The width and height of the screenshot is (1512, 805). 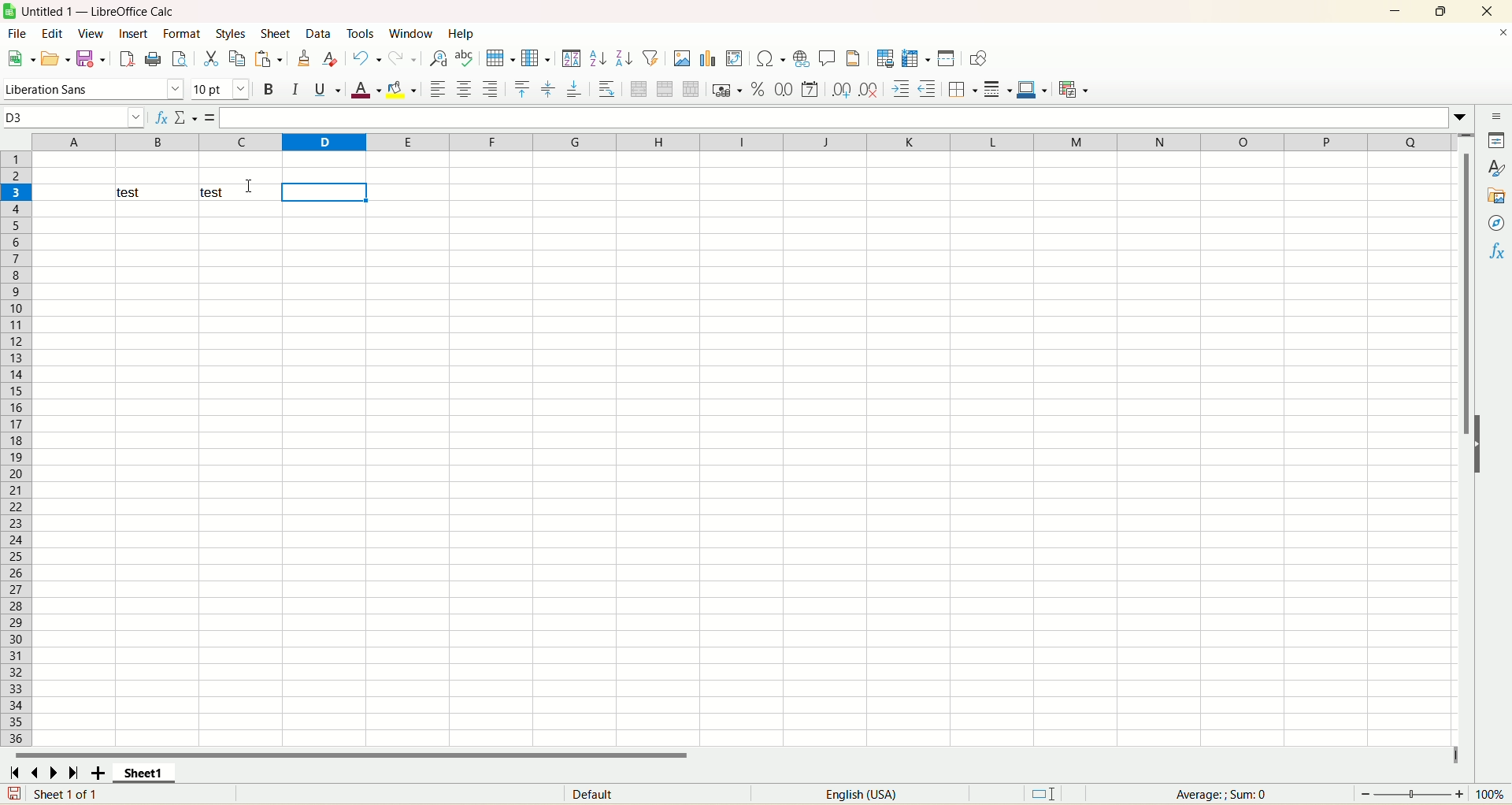 What do you see at coordinates (853, 58) in the screenshot?
I see `Header and footer` at bounding box center [853, 58].